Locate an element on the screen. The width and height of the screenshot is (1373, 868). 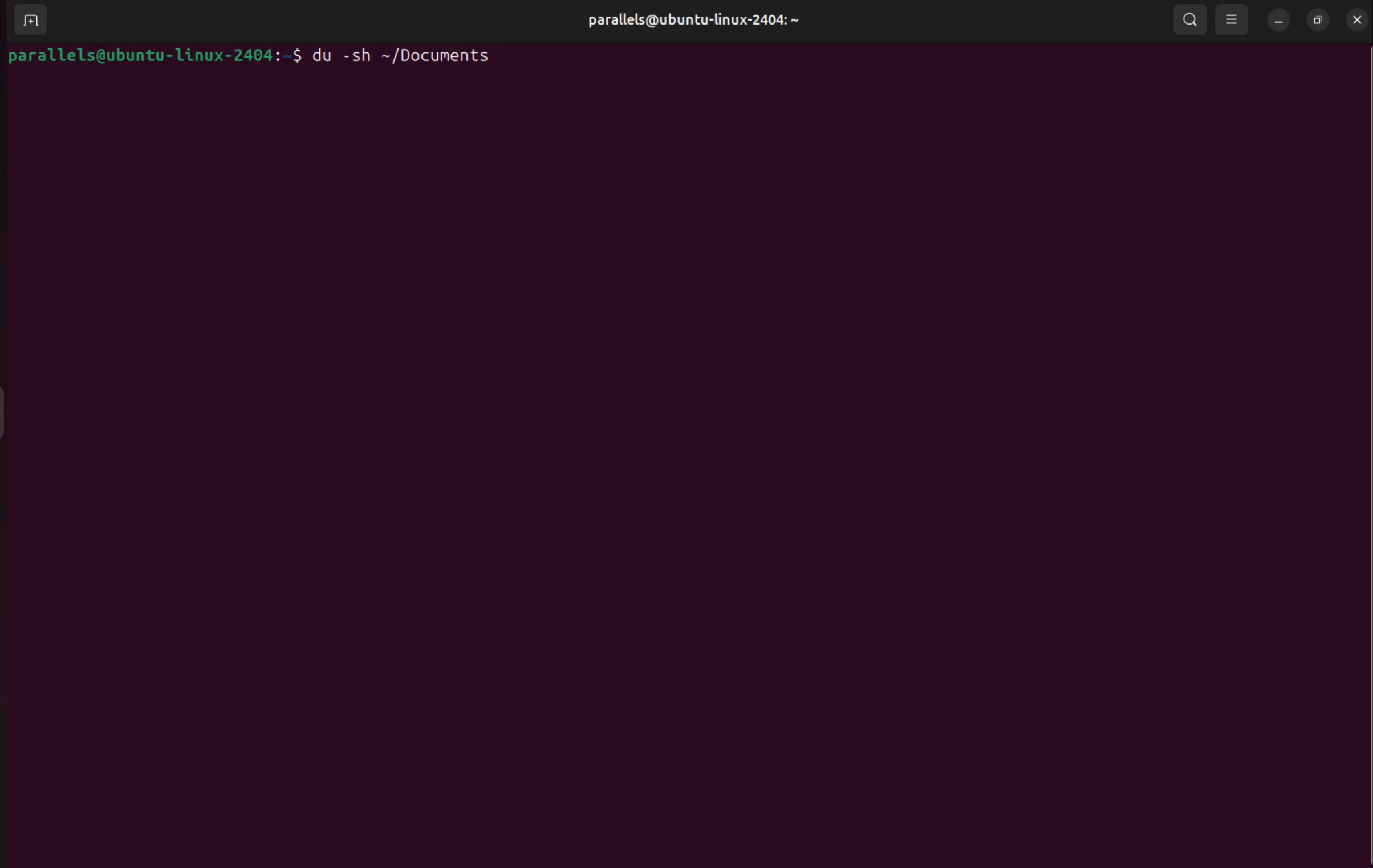
minimize is located at coordinates (1279, 23).